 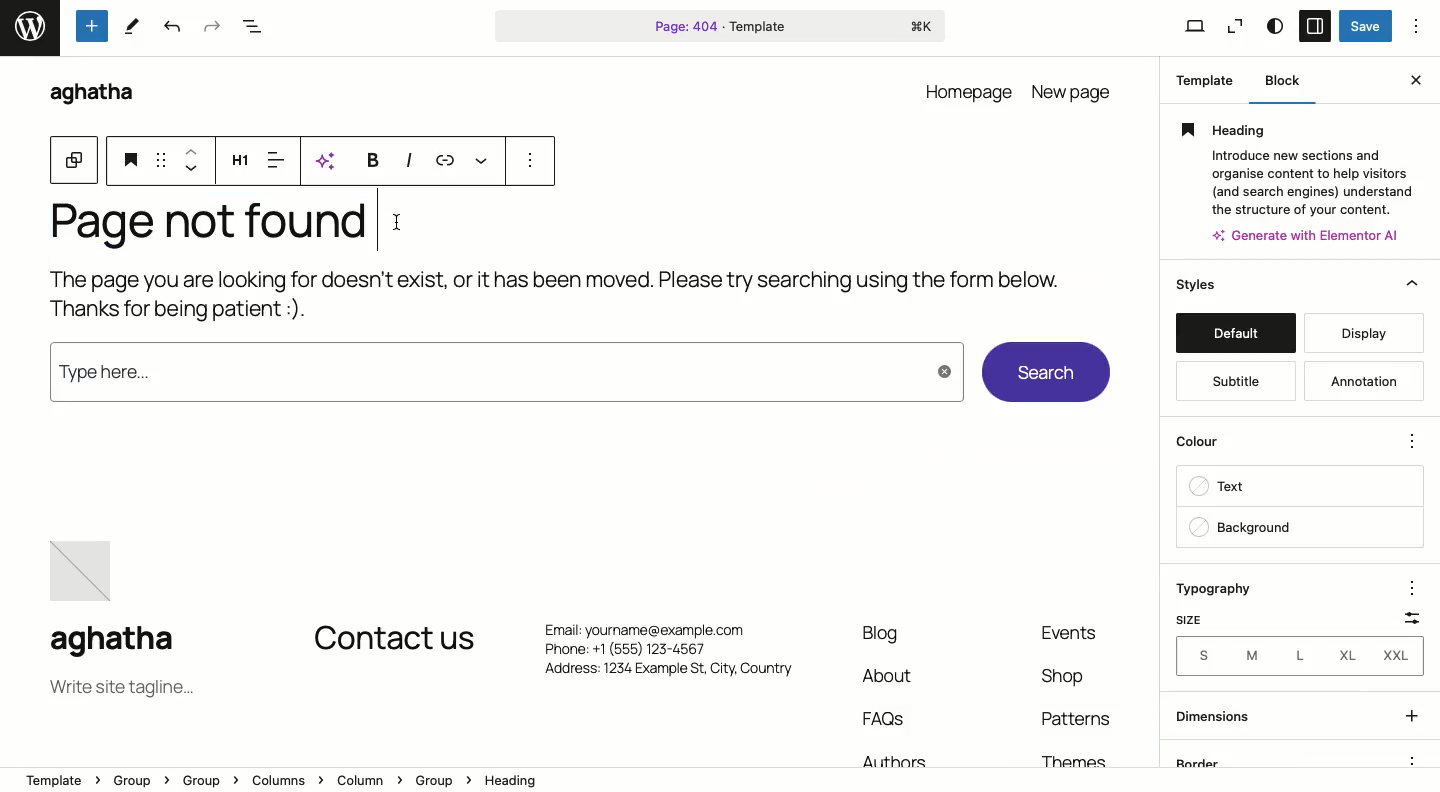 I want to click on Heading, so click(x=1296, y=131).